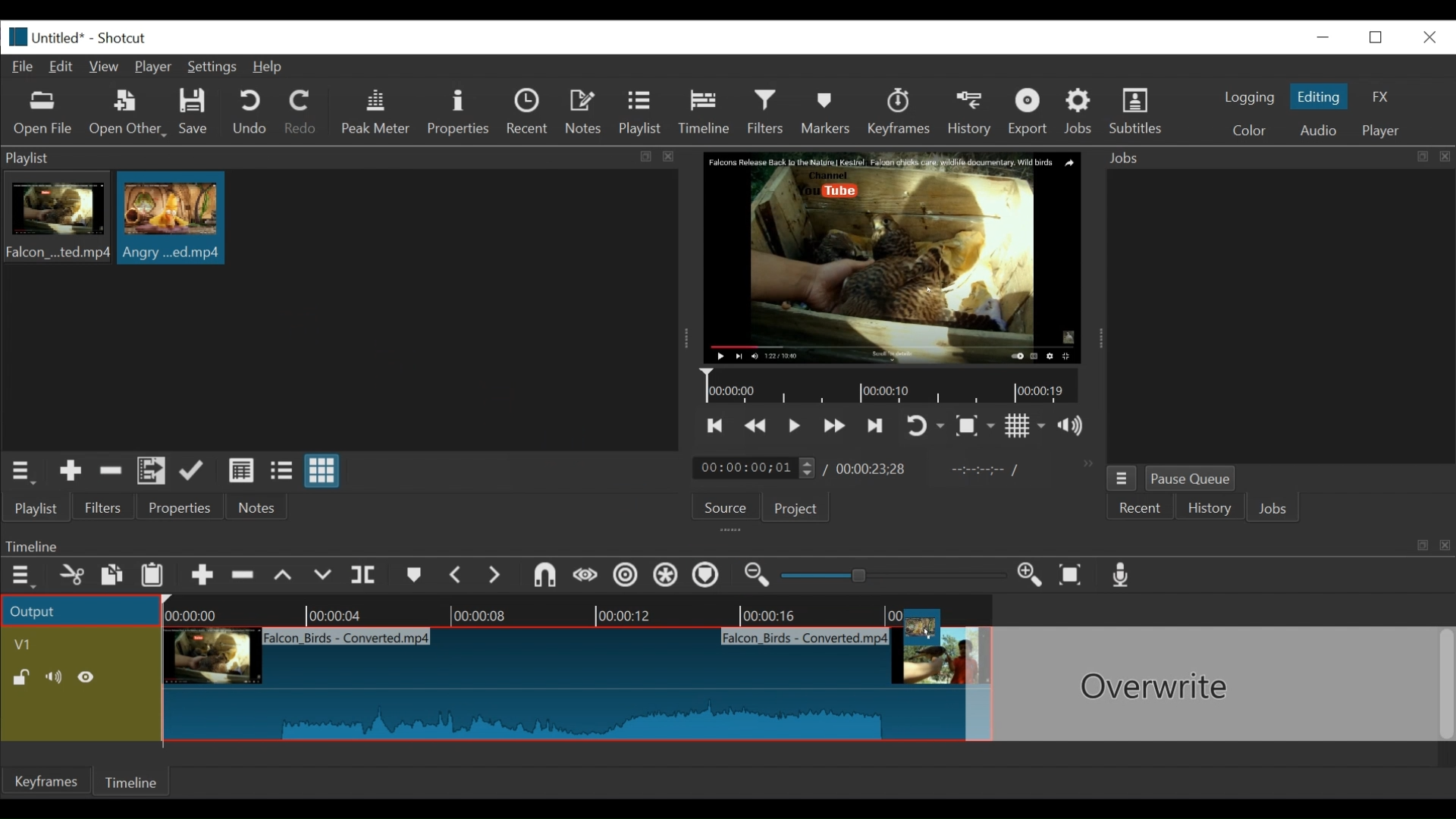 This screenshot has height=819, width=1456. I want to click on File, so click(26, 67).